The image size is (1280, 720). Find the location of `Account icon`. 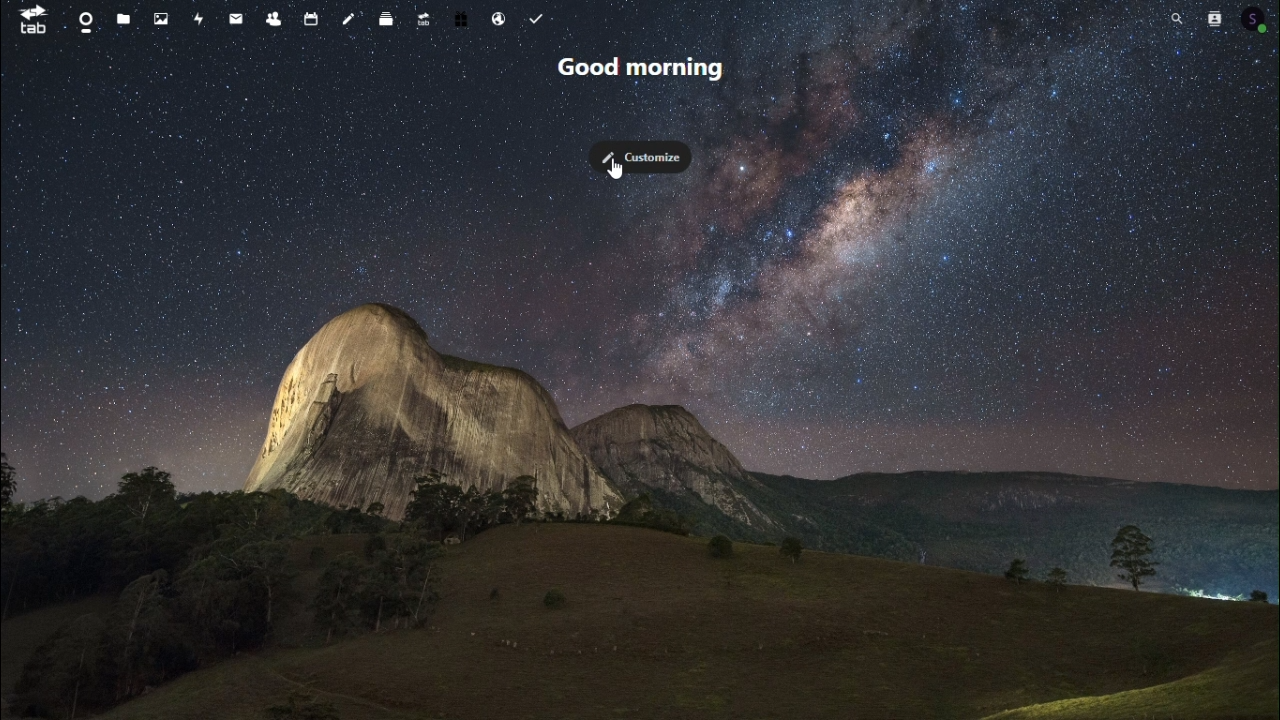

Account icon is located at coordinates (1255, 17).